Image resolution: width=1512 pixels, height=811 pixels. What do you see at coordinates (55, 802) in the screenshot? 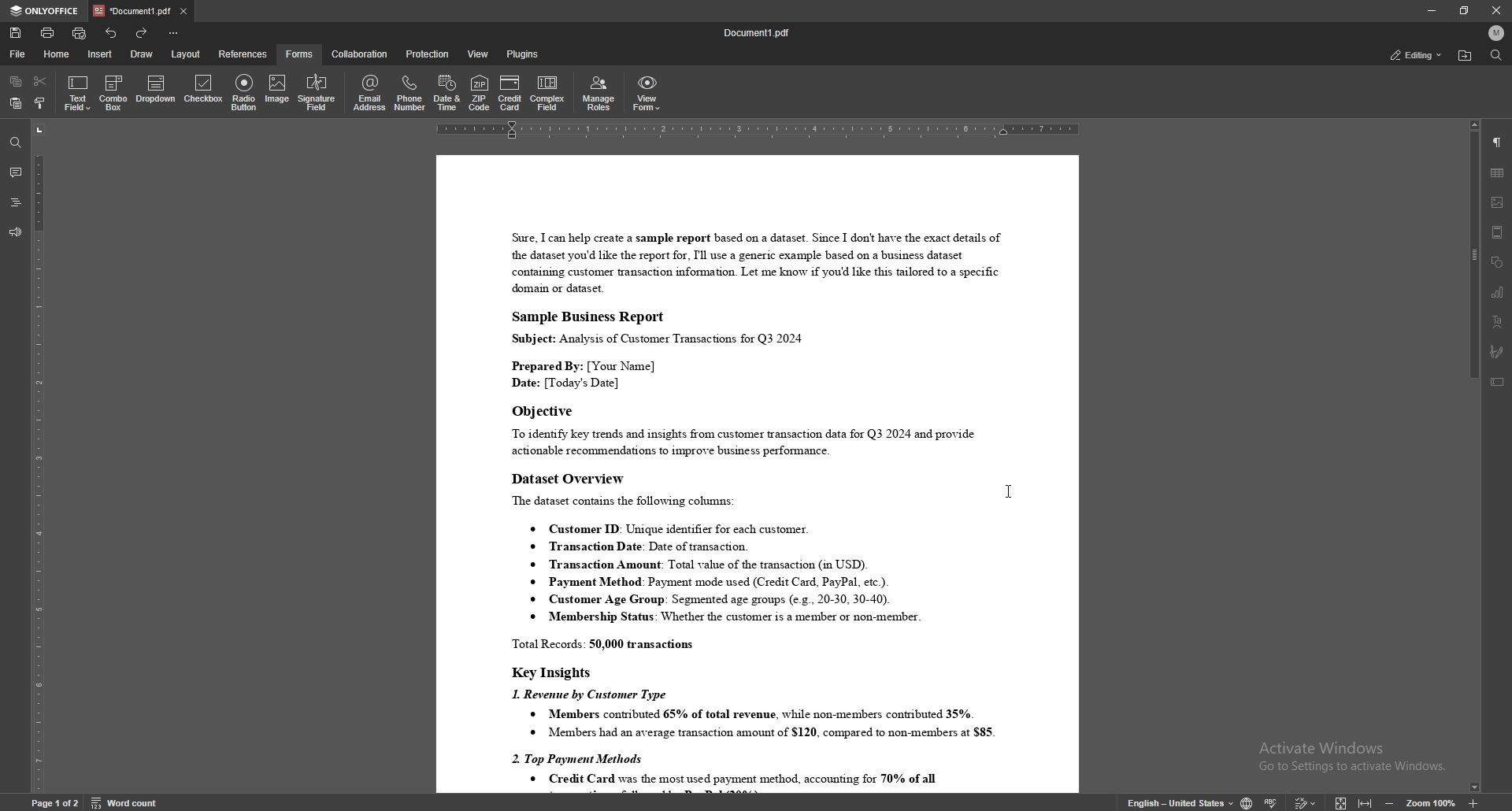
I see `page` at bounding box center [55, 802].